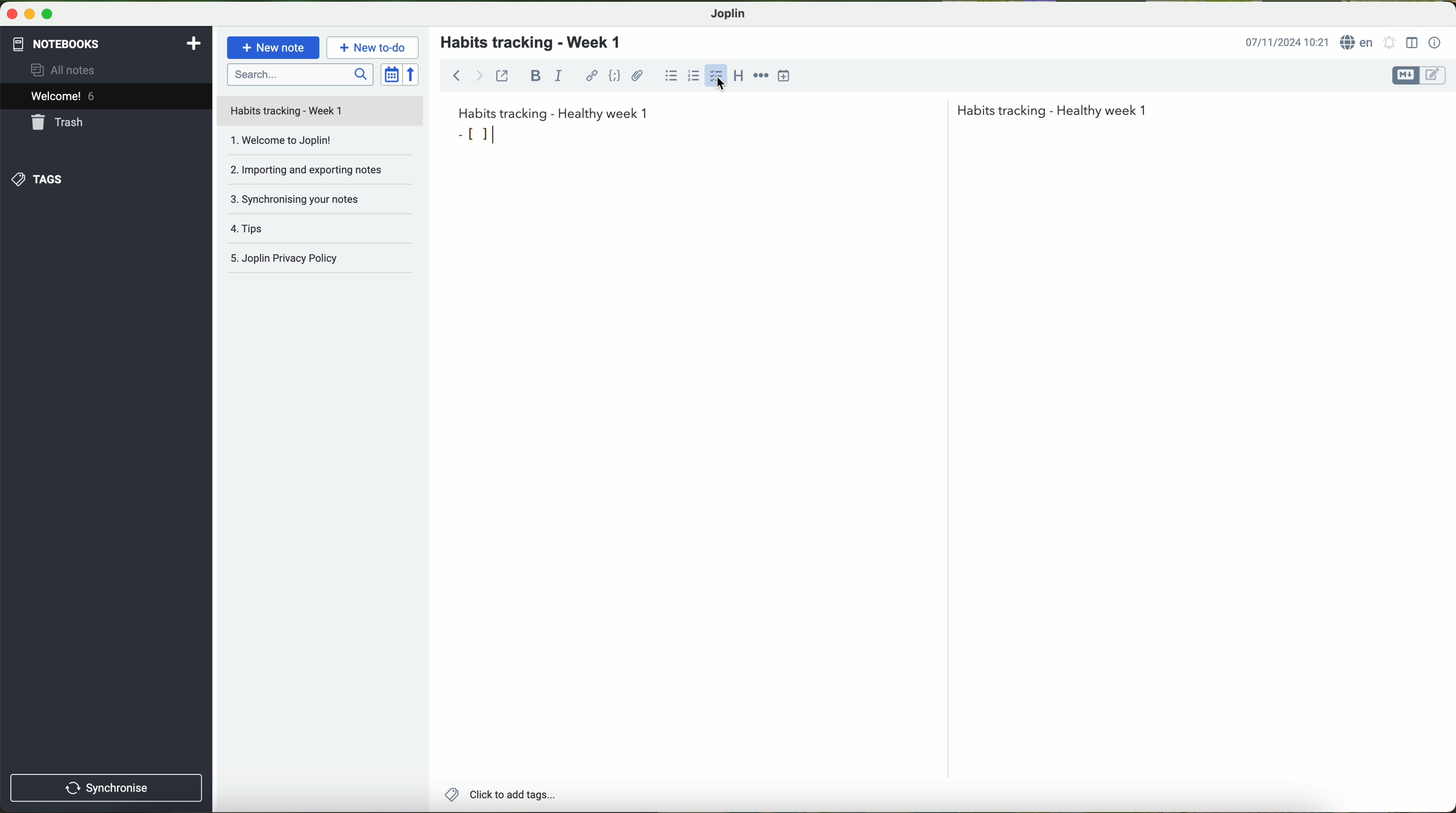 Image resolution: width=1456 pixels, height=813 pixels. What do you see at coordinates (1390, 42) in the screenshot?
I see `set alarm` at bounding box center [1390, 42].